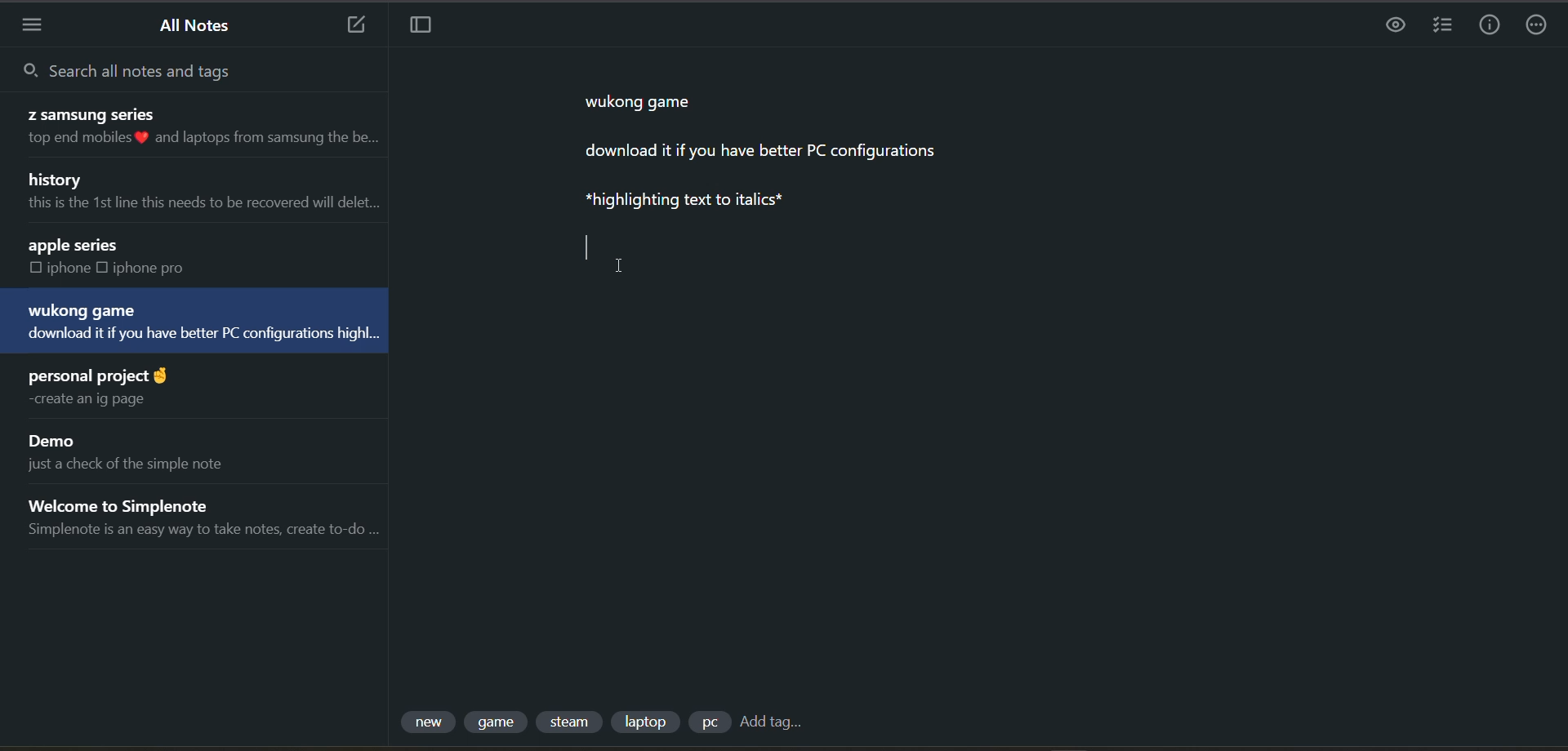  I want to click on note title and preview, so click(122, 256).